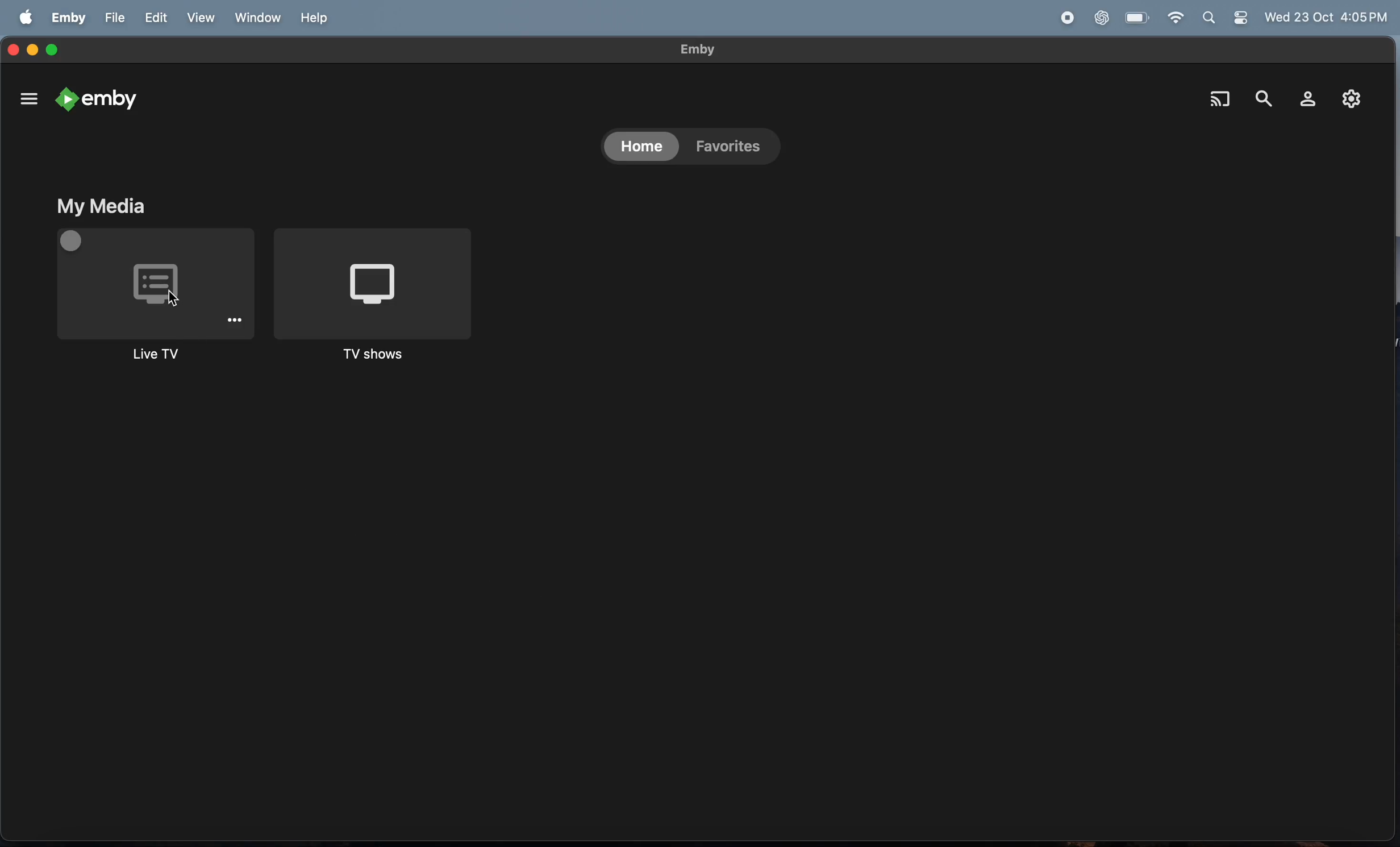 Image resolution: width=1400 pixels, height=847 pixels. Describe the element at coordinates (153, 299) in the screenshot. I see `live tv` at that location.